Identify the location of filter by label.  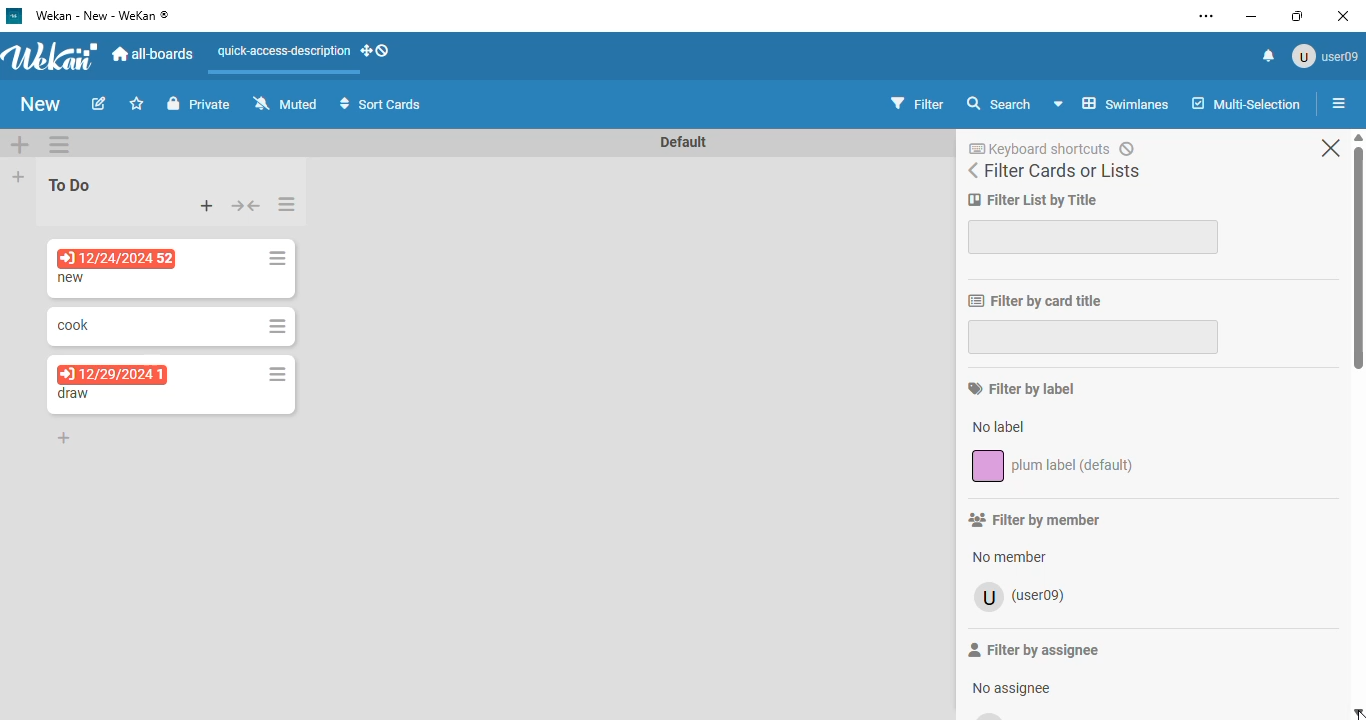
(1021, 388).